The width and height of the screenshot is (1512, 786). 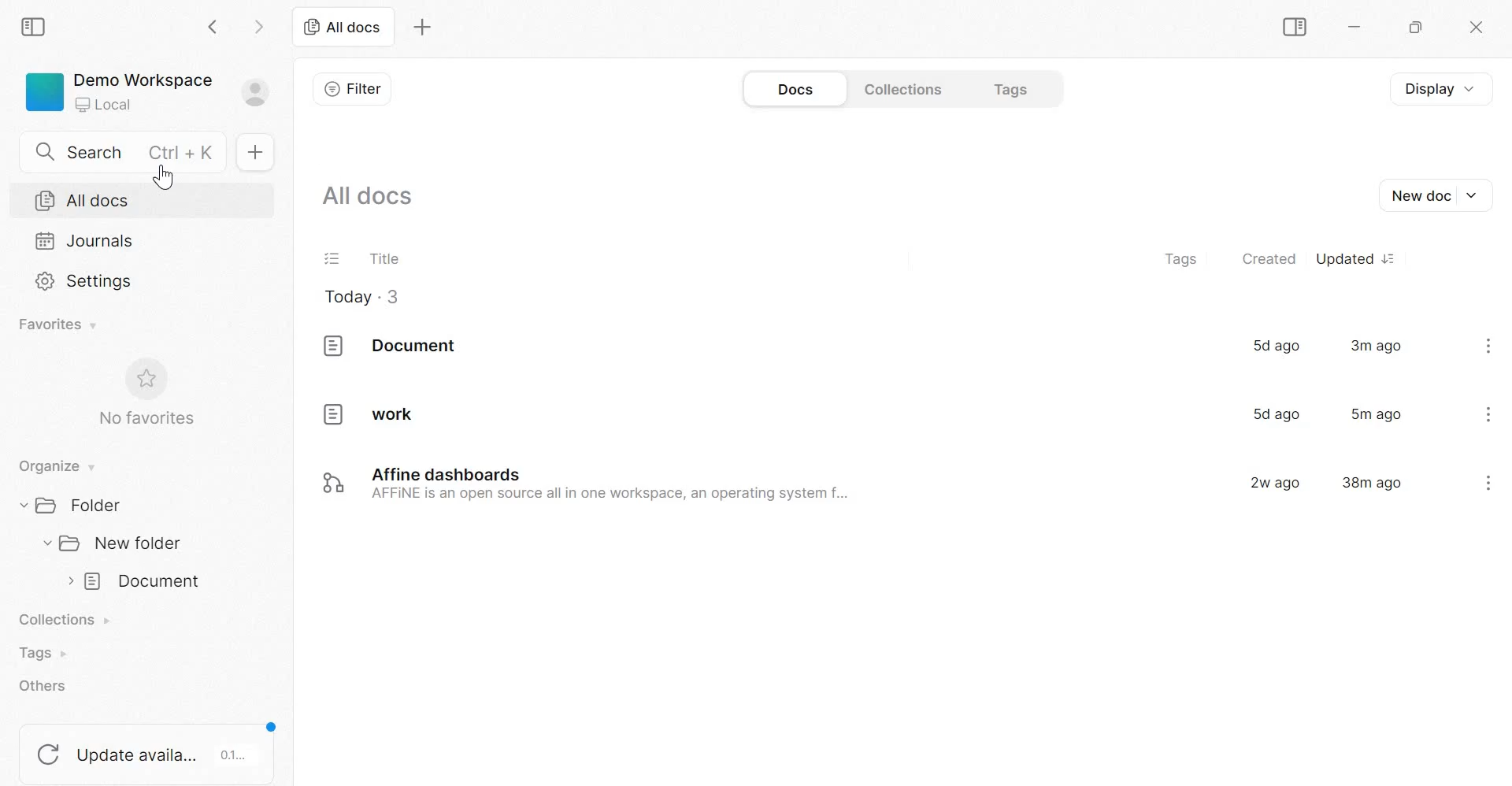 What do you see at coordinates (114, 543) in the screenshot?
I see `New folder` at bounding box center [114, 543].